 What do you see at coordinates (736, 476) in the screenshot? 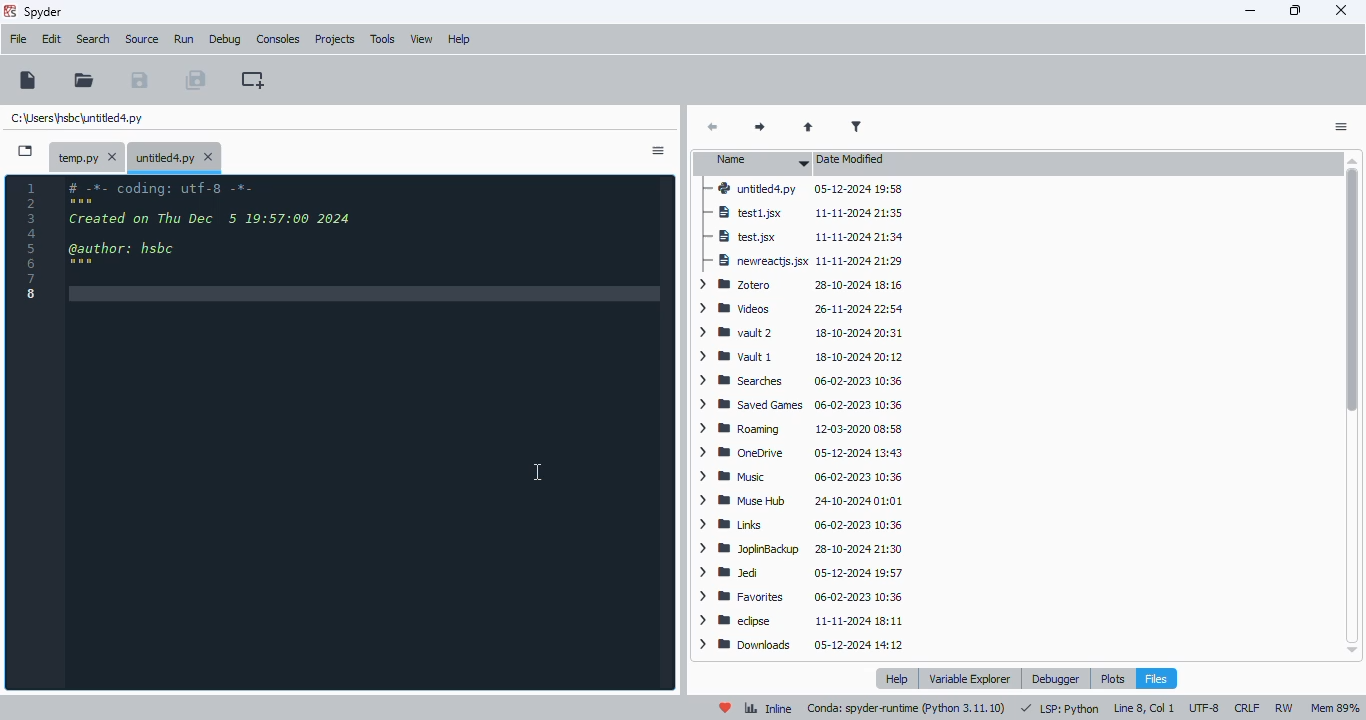
I see `Music` at bounding box center [736, 476].